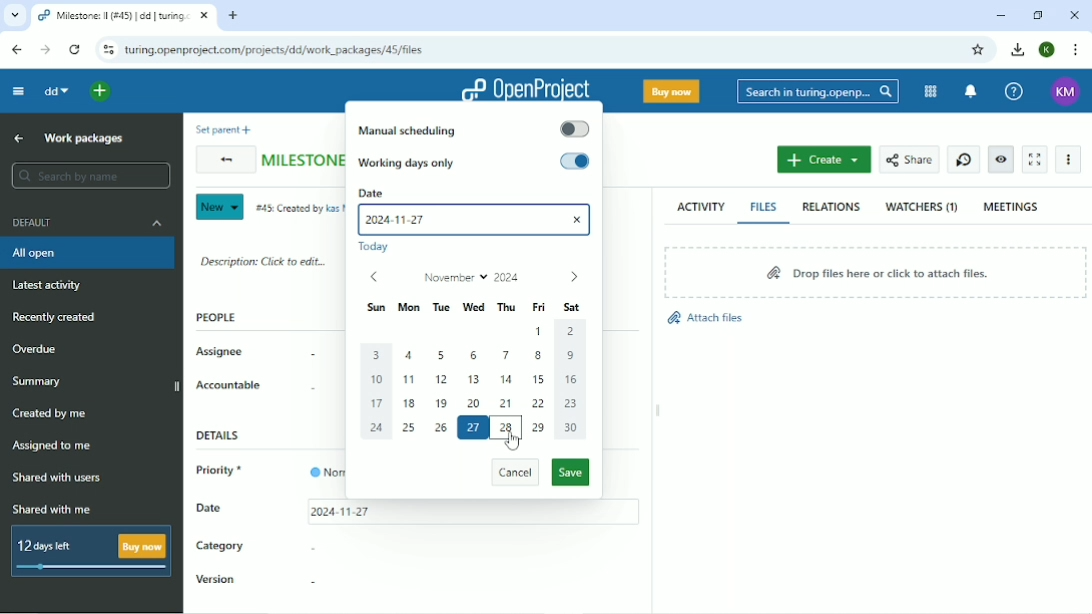 The height and width of the screenshot is (614, 1092). Describe the element at coordinates (51, 447) in the screenshot. I see `Assigned to me` at that location.